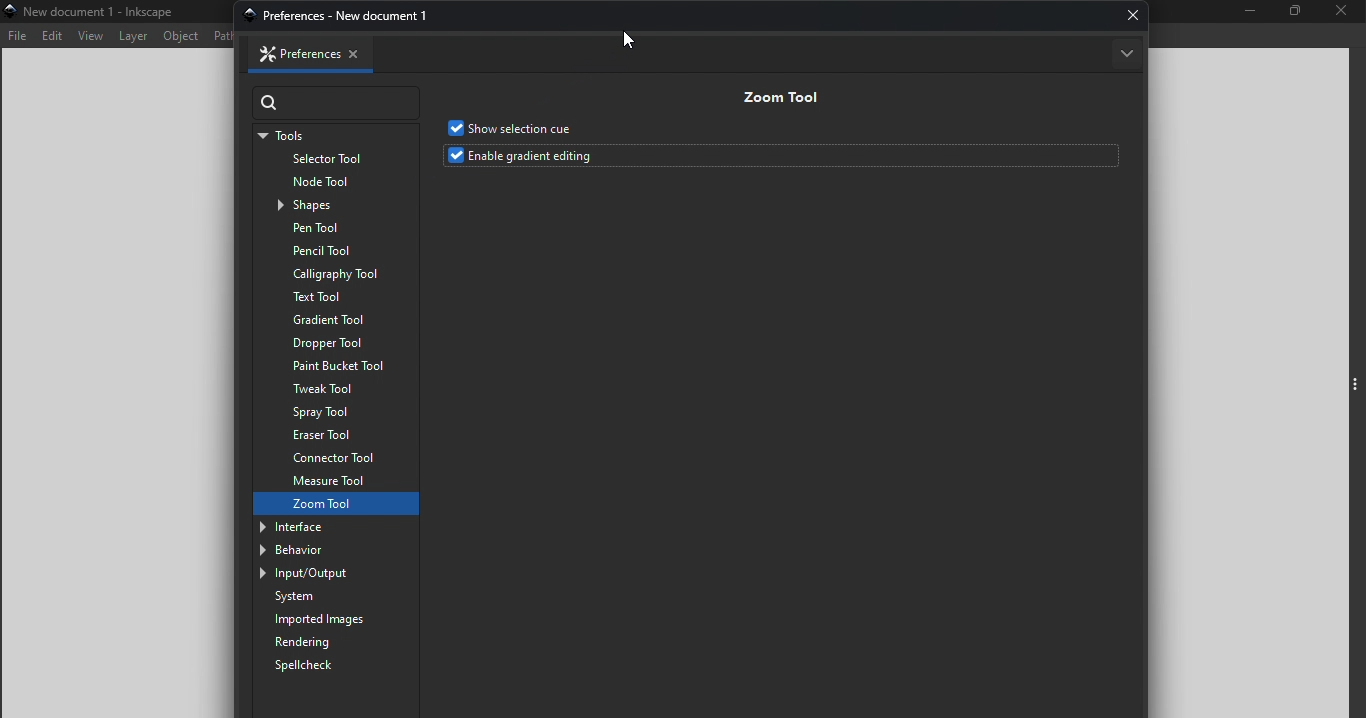  Describe the element at coordinates (317, 572) in the screenshot. I see `Input/output` at that location.